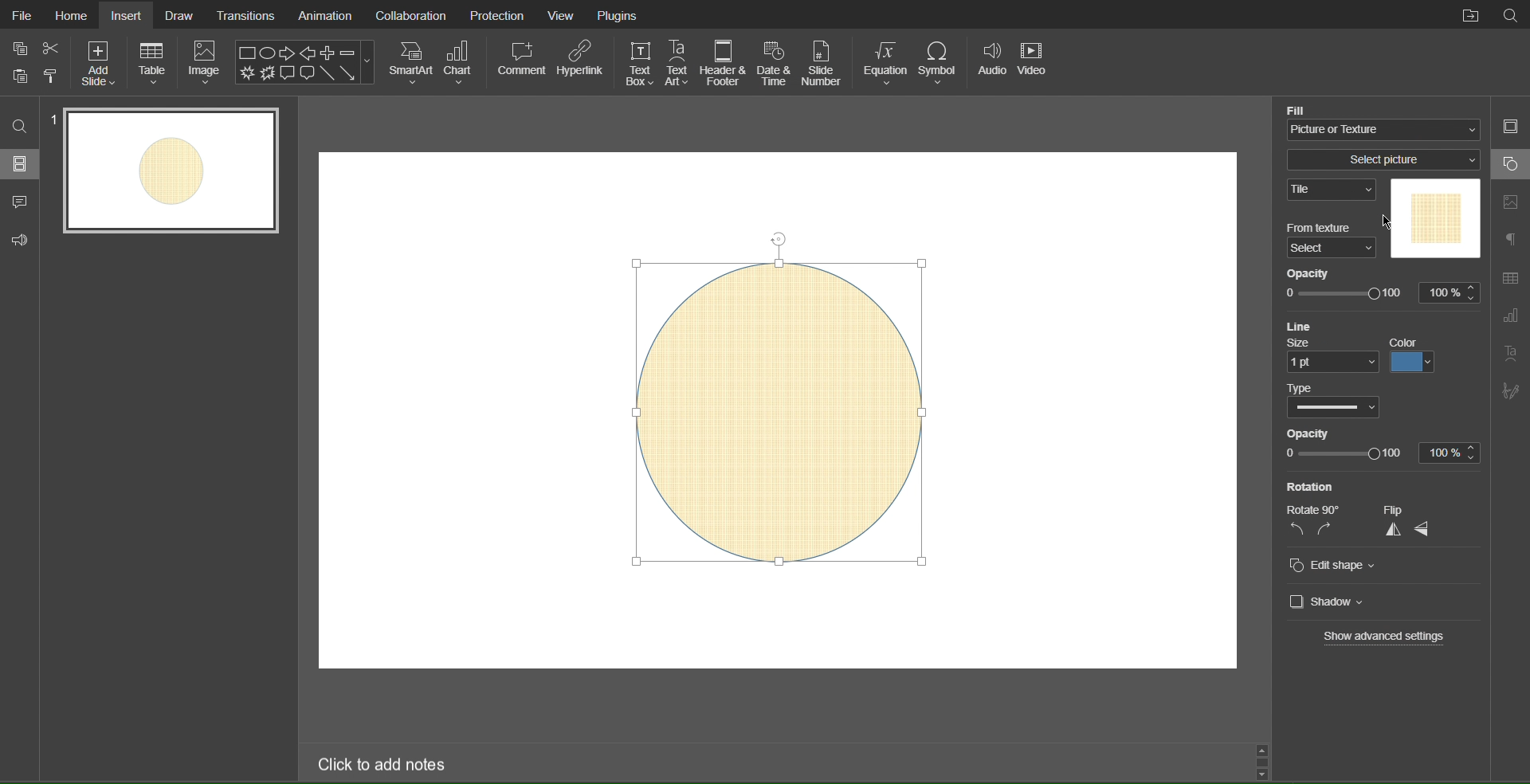 Image resolution: width=1530 pixels, height=784 pixels. I want to click on copy, so click(19, 49).